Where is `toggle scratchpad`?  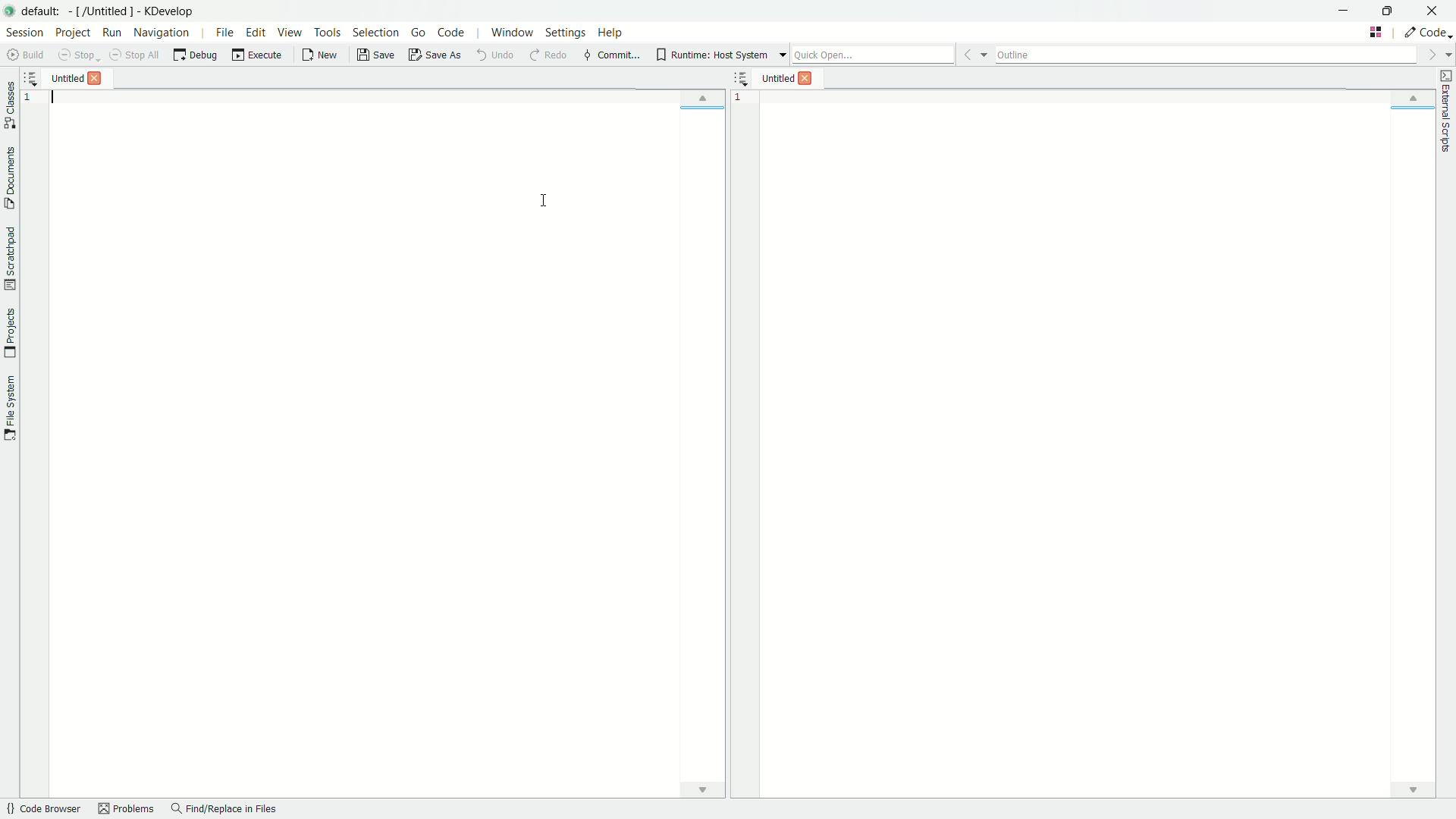 toggle scratchpad is located at coordinates (10, 259).